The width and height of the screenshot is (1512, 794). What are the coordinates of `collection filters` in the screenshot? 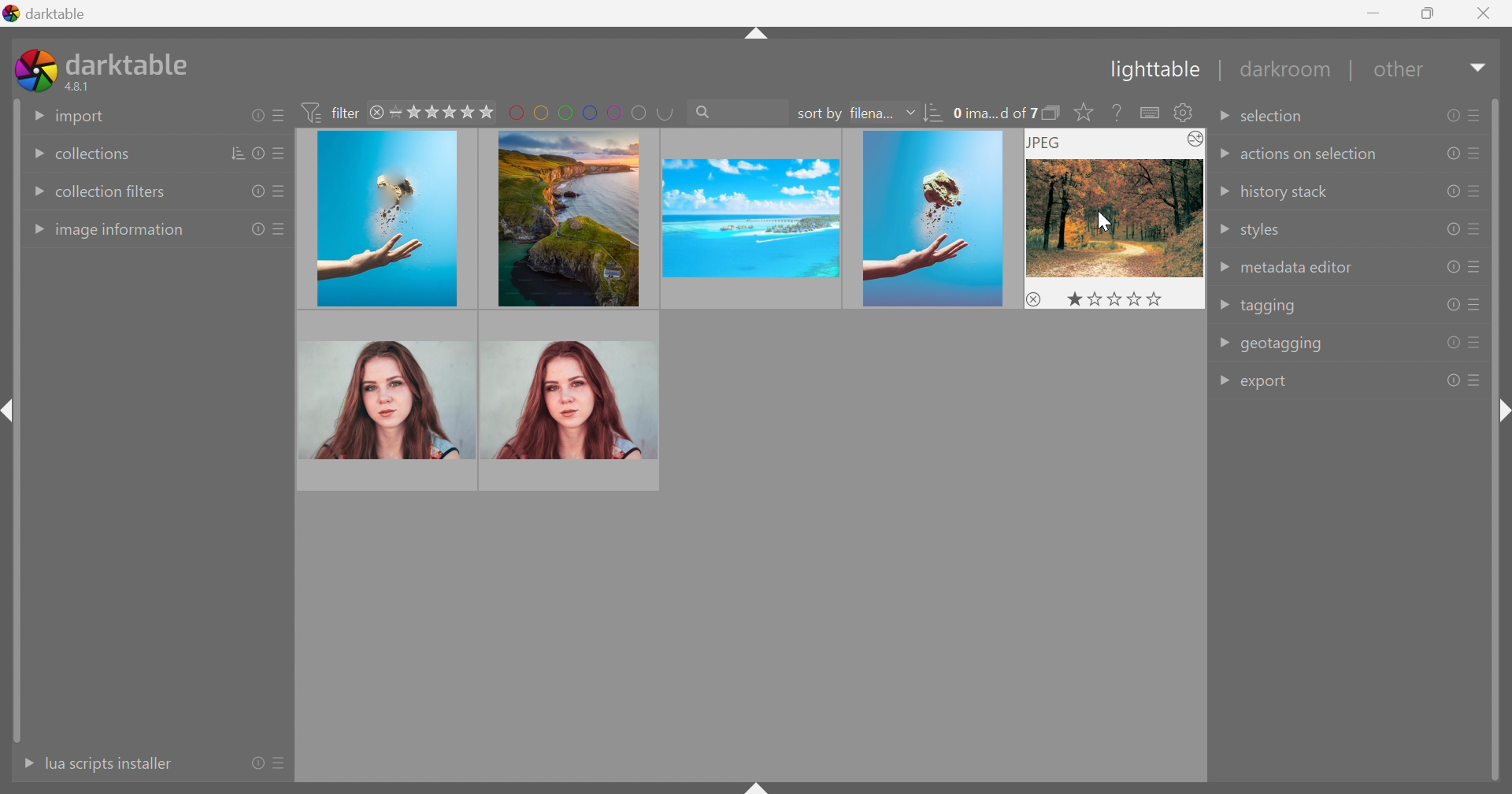 It's located at (112, 191).